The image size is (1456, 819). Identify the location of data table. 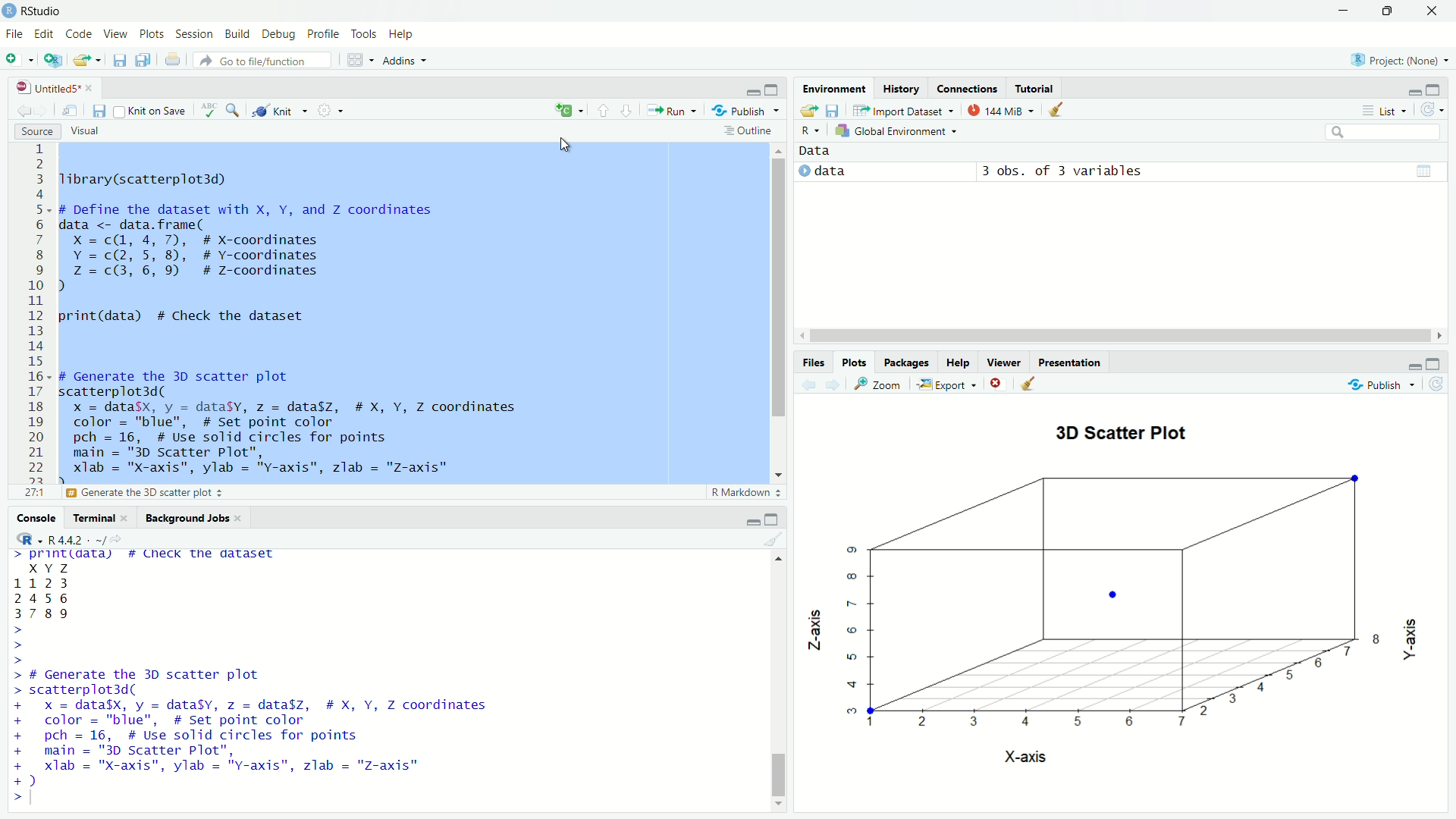
(1429, 168).